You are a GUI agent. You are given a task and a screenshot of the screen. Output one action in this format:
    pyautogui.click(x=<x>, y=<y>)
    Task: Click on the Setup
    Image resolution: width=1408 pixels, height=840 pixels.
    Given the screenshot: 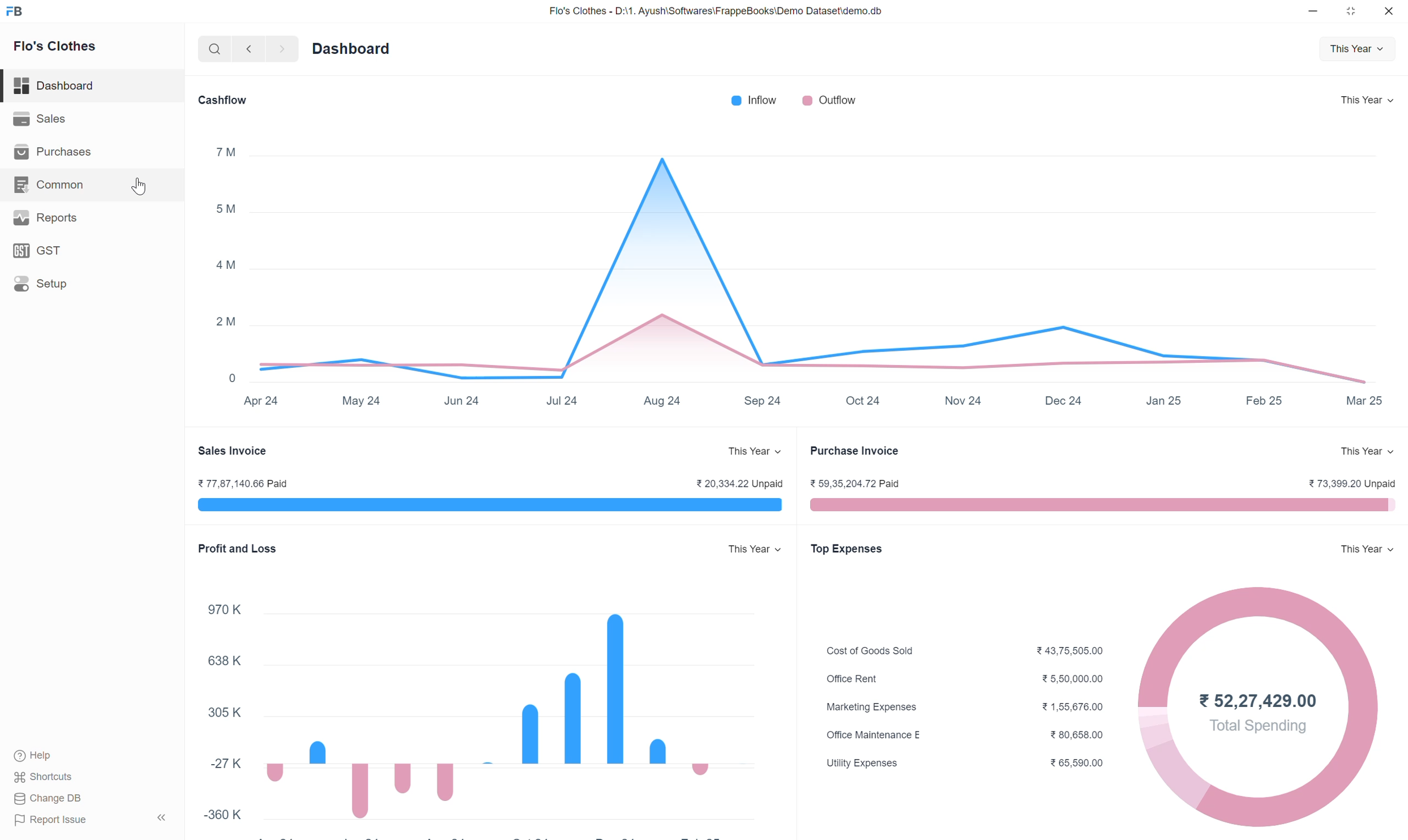 What is the action you would take?
    pyautogui.click(x=69, y=286)
    